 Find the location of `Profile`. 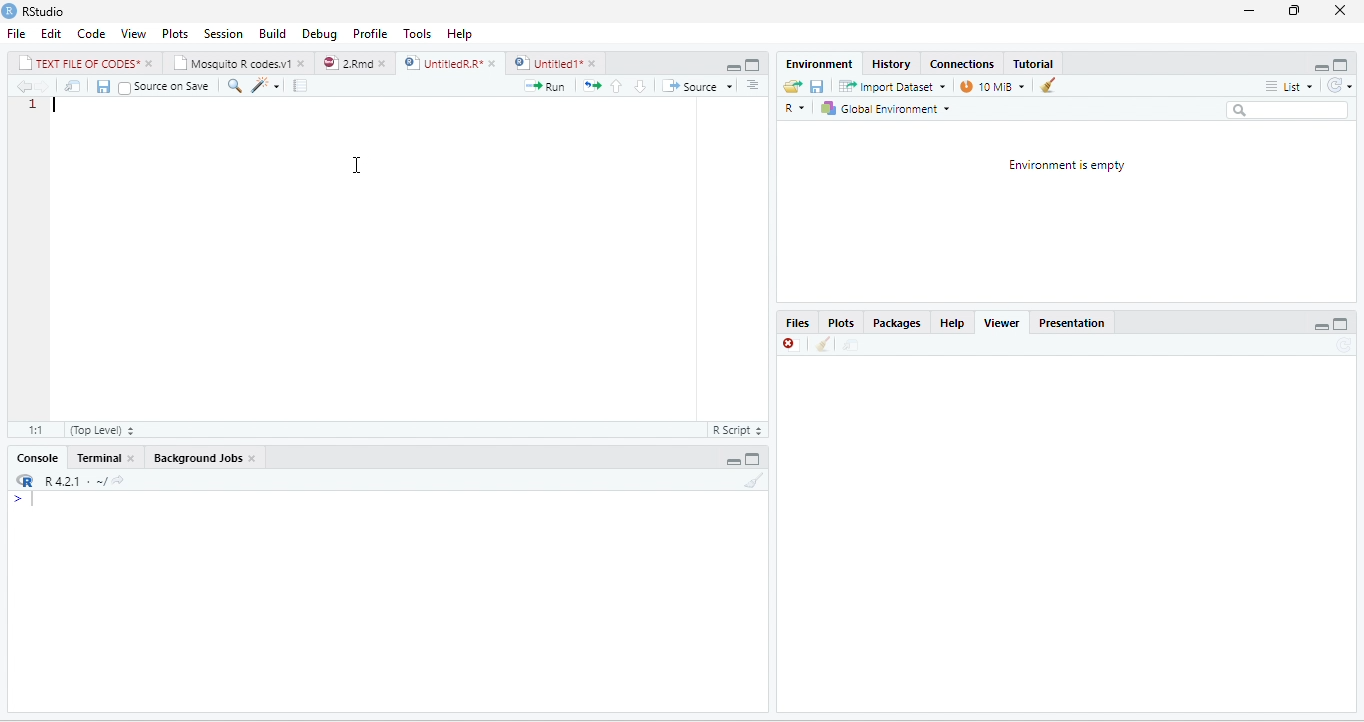

Profile is located at coordinates (371, 32).